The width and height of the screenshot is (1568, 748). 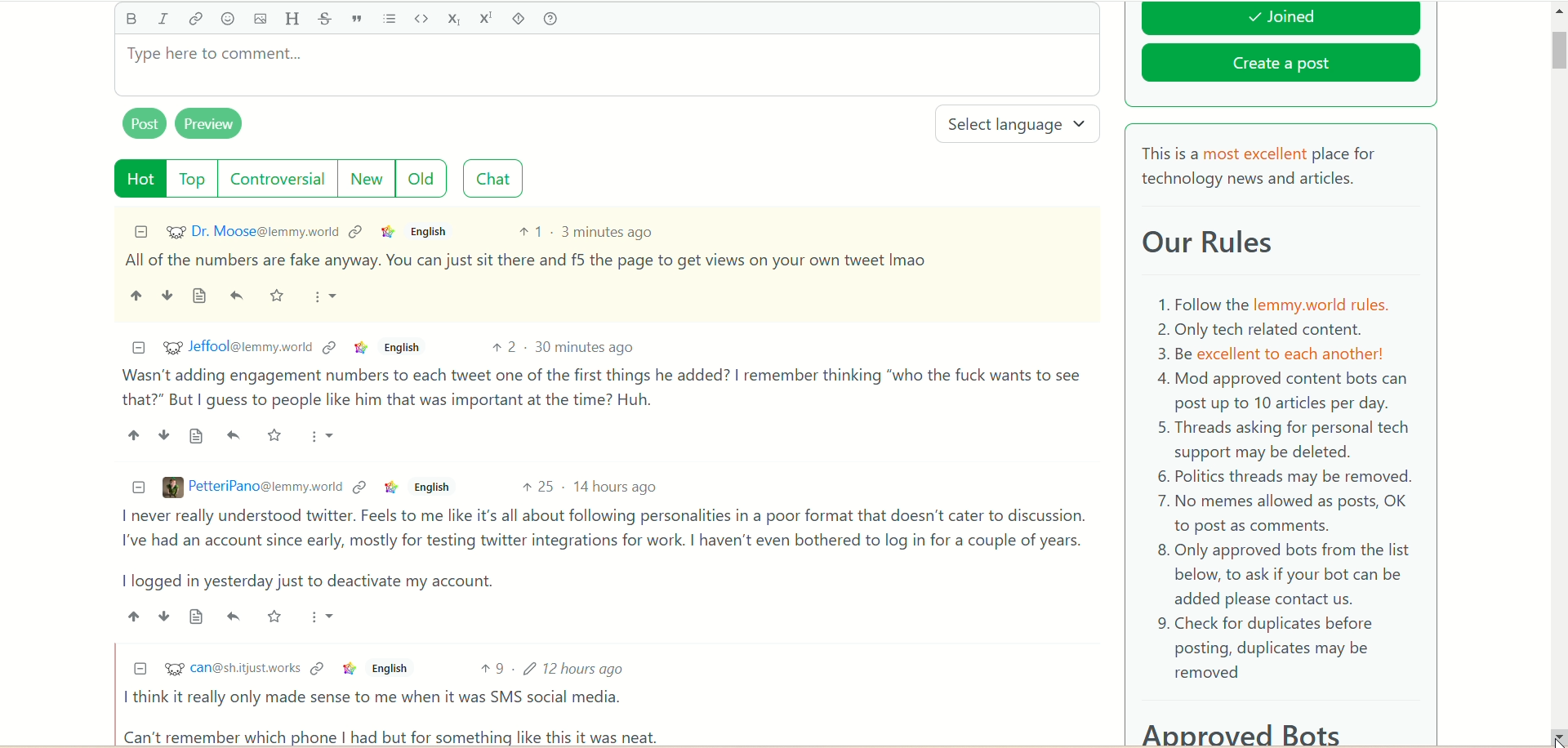 What do you see at coordinates (530, 231) in the screenshot?
I see `Upvote 1` at bounding box center [530, 231].